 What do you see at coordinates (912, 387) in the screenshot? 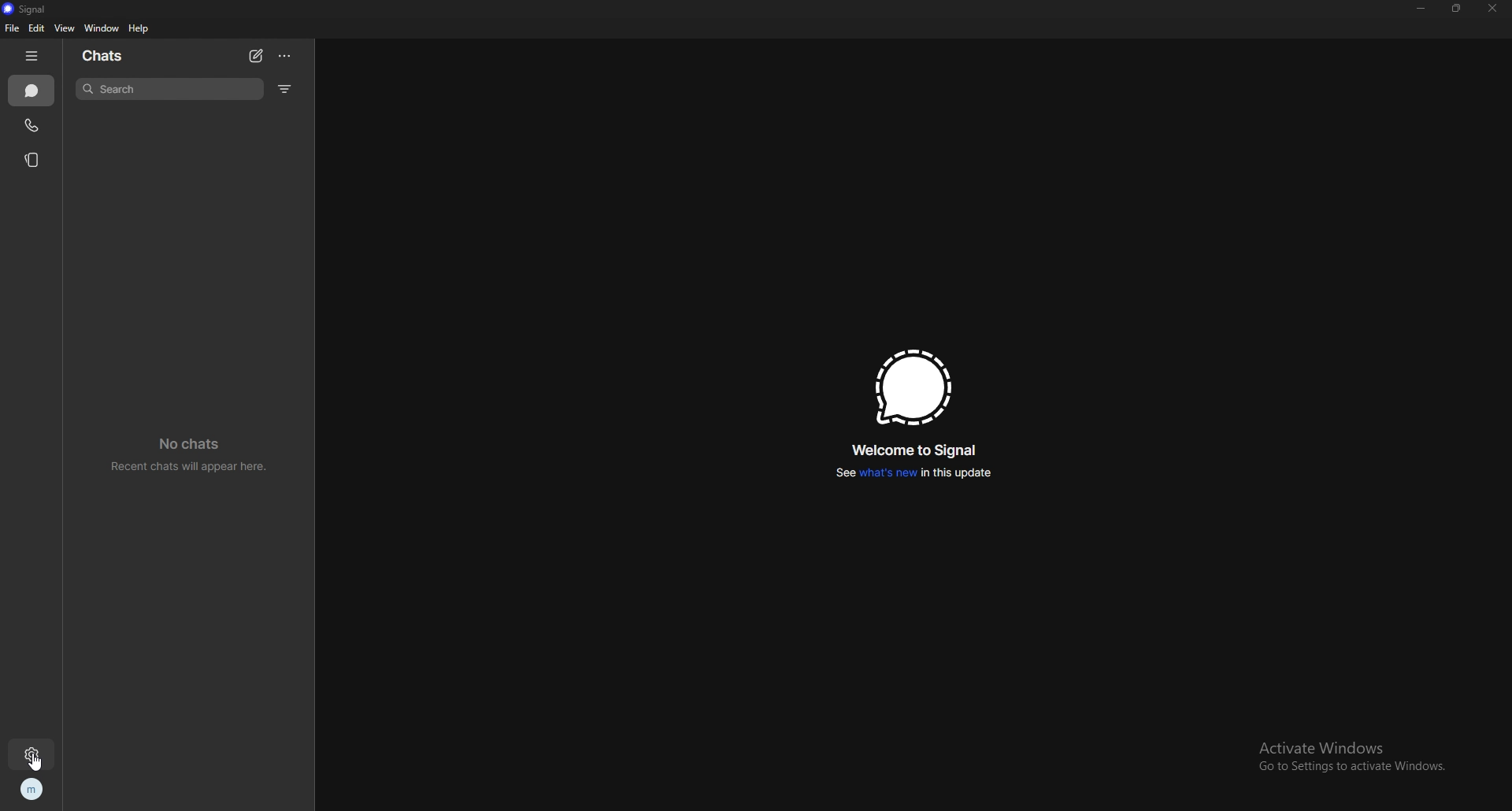
I see `signal logo` at bounding box center [912, 387].